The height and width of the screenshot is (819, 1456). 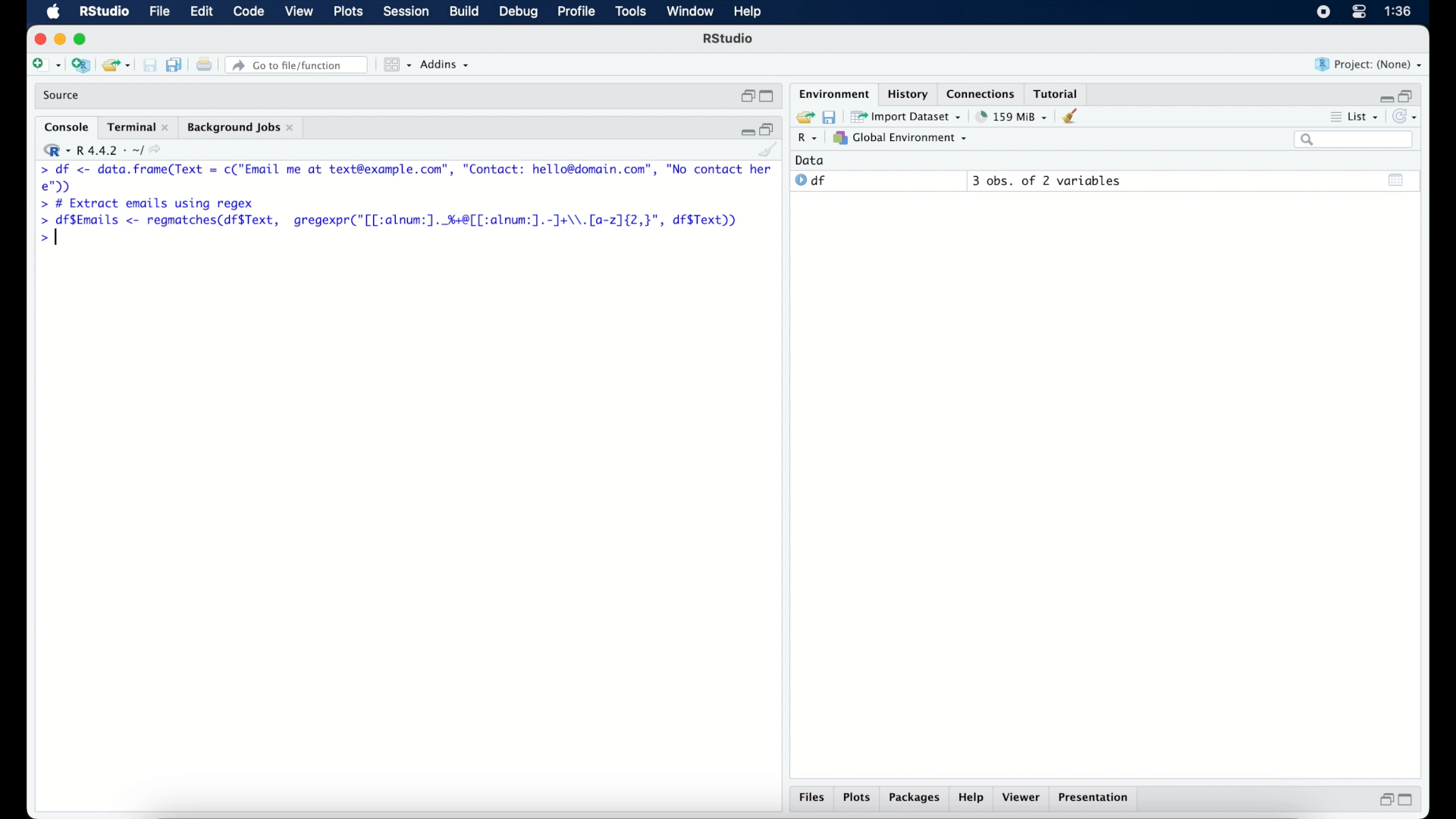 What do you see at coordinates (769, 151) in the screenshot?
I see `clear console` at bounding box center [769, 151].